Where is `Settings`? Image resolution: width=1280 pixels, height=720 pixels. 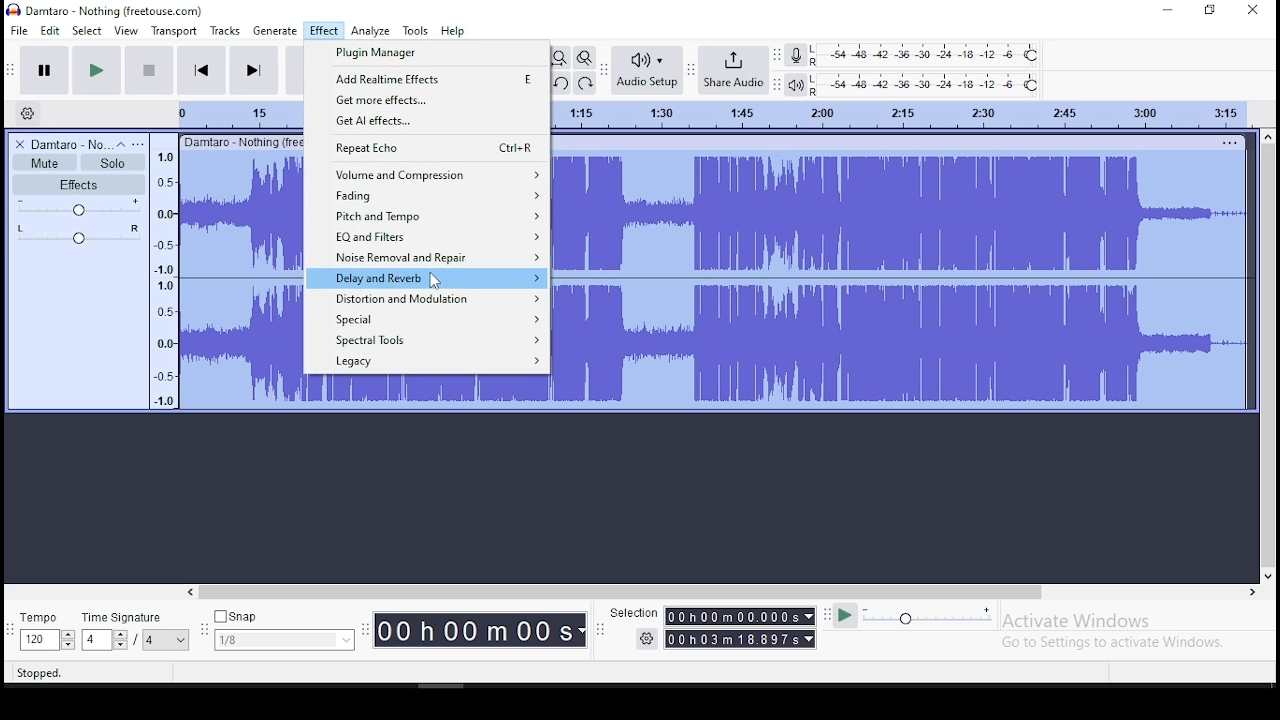 Settings is located at coordinates (646, 639).